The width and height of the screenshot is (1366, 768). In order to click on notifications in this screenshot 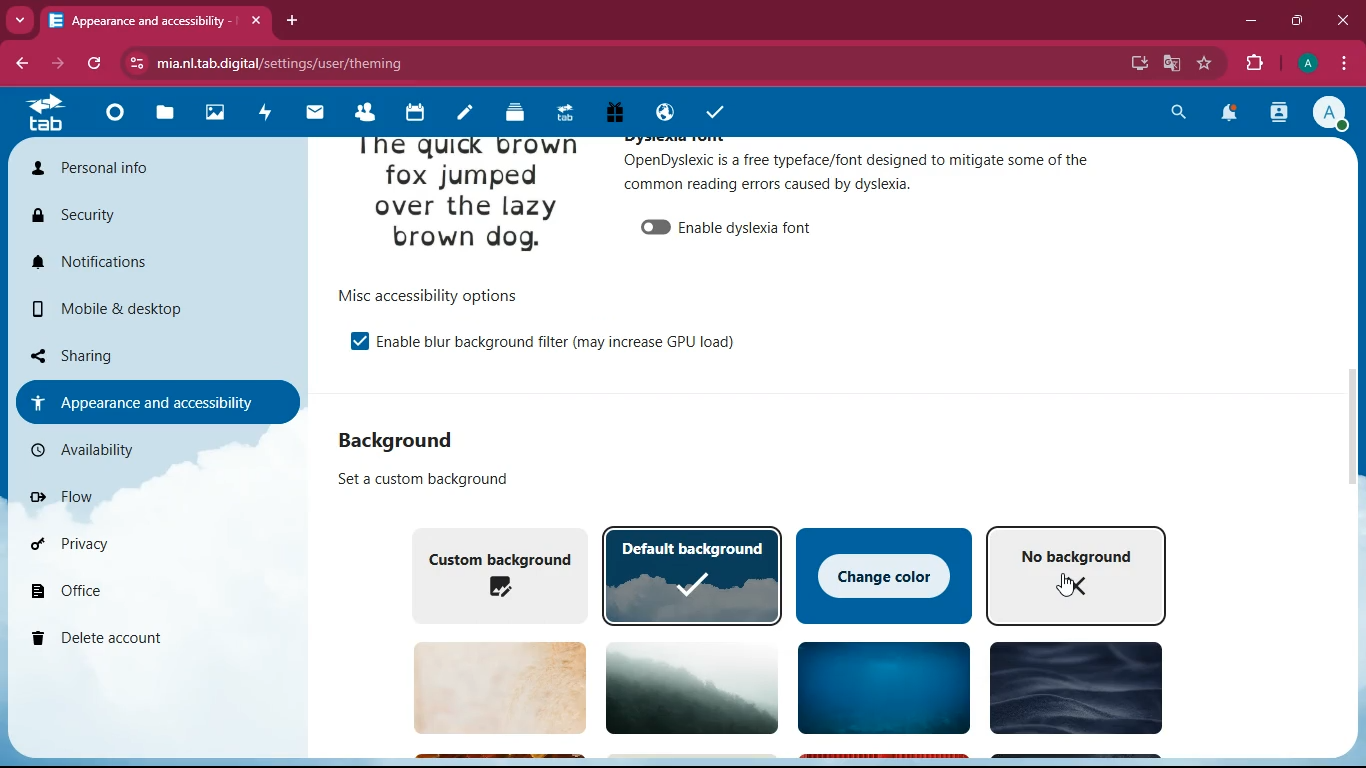, I will do `click(1230, 114)`.